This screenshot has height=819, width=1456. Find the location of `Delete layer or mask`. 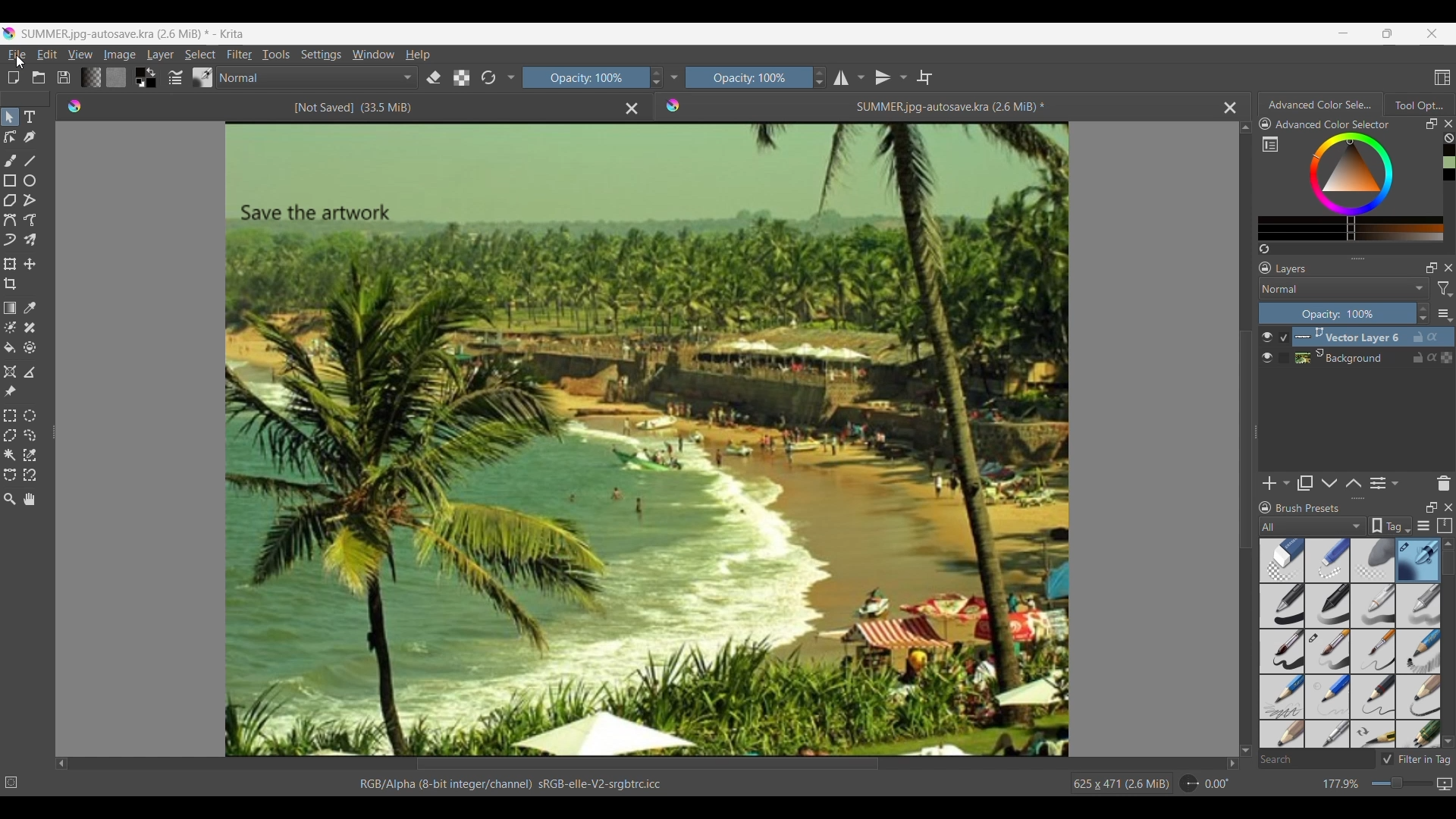

Delete layer or mask is located at coordinates (1443, 484).